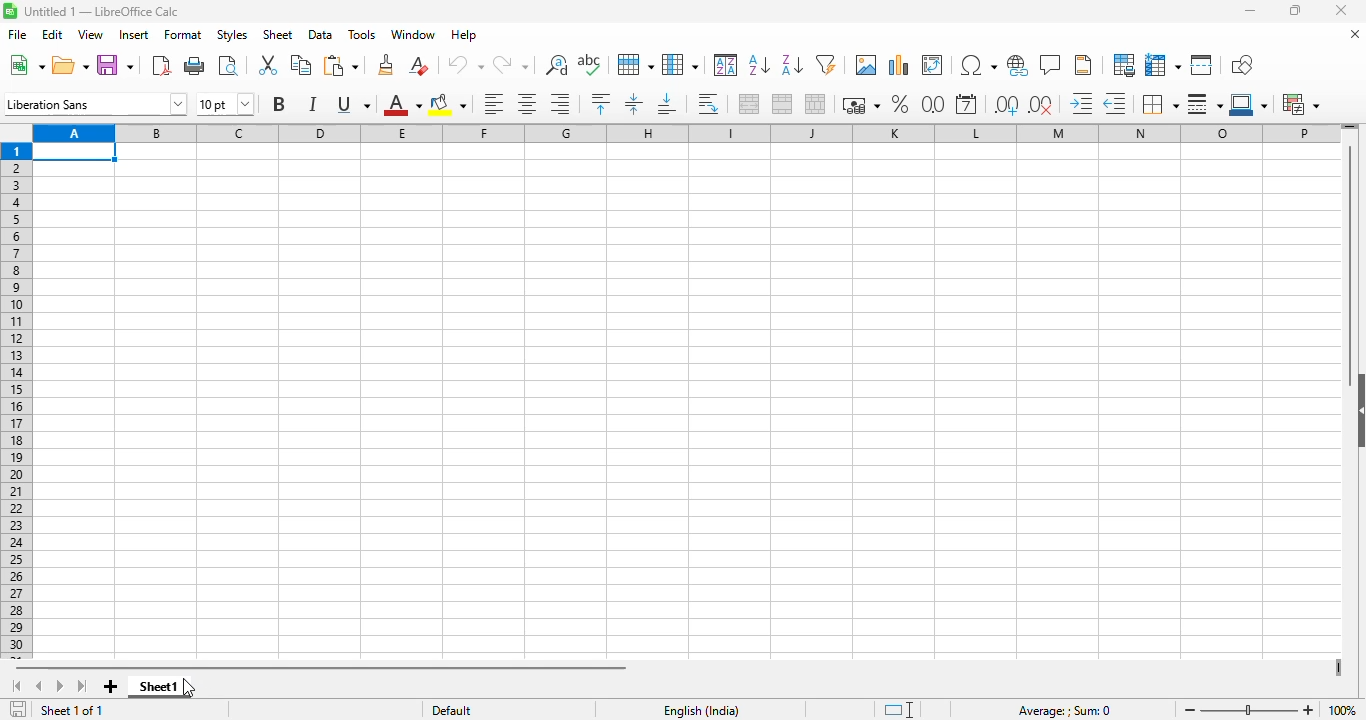  I want to click on insert image, so click(865, 64).